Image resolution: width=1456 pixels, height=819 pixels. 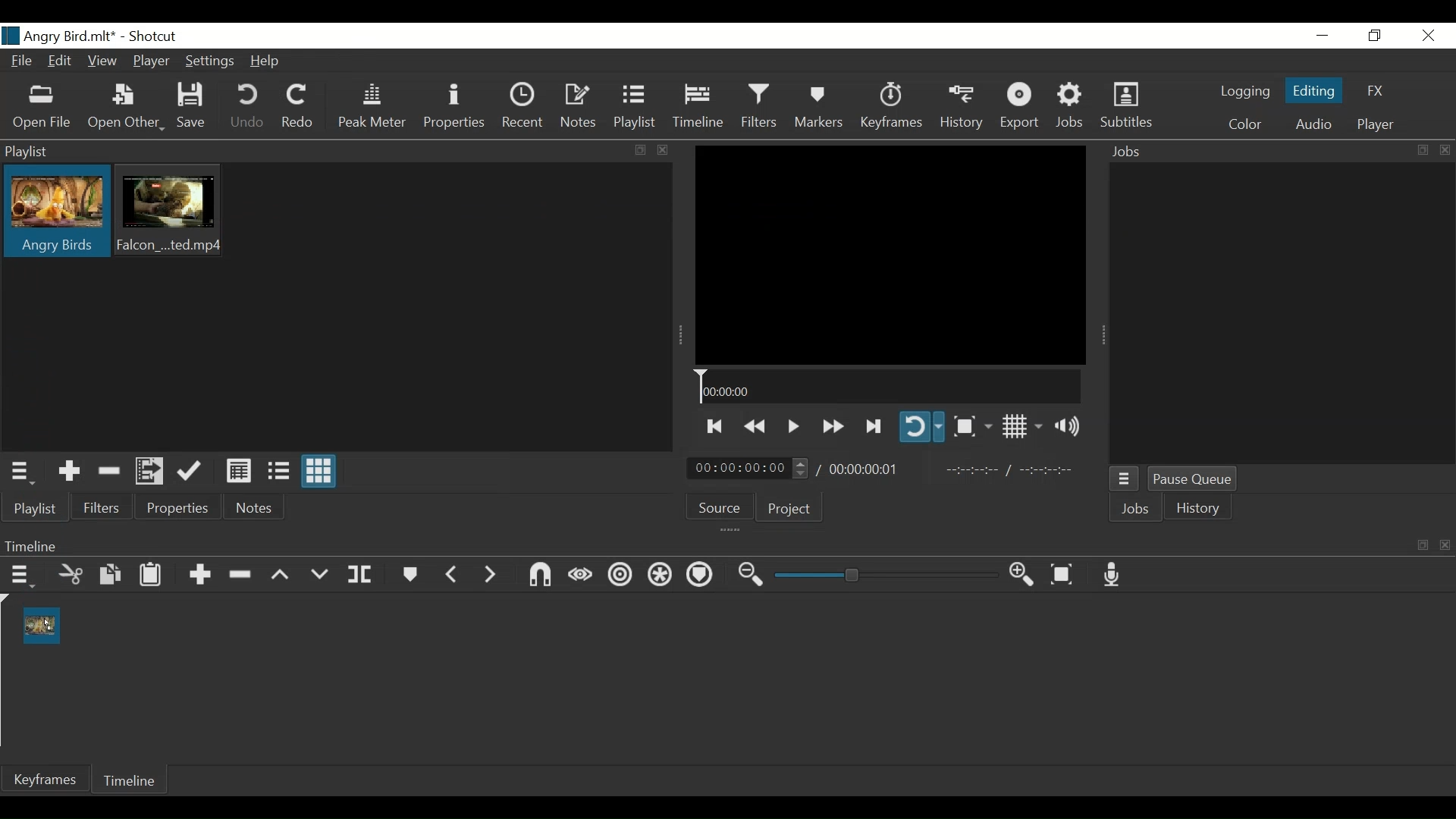 I want to click on Split at playhead, so click(x=366, y=575).